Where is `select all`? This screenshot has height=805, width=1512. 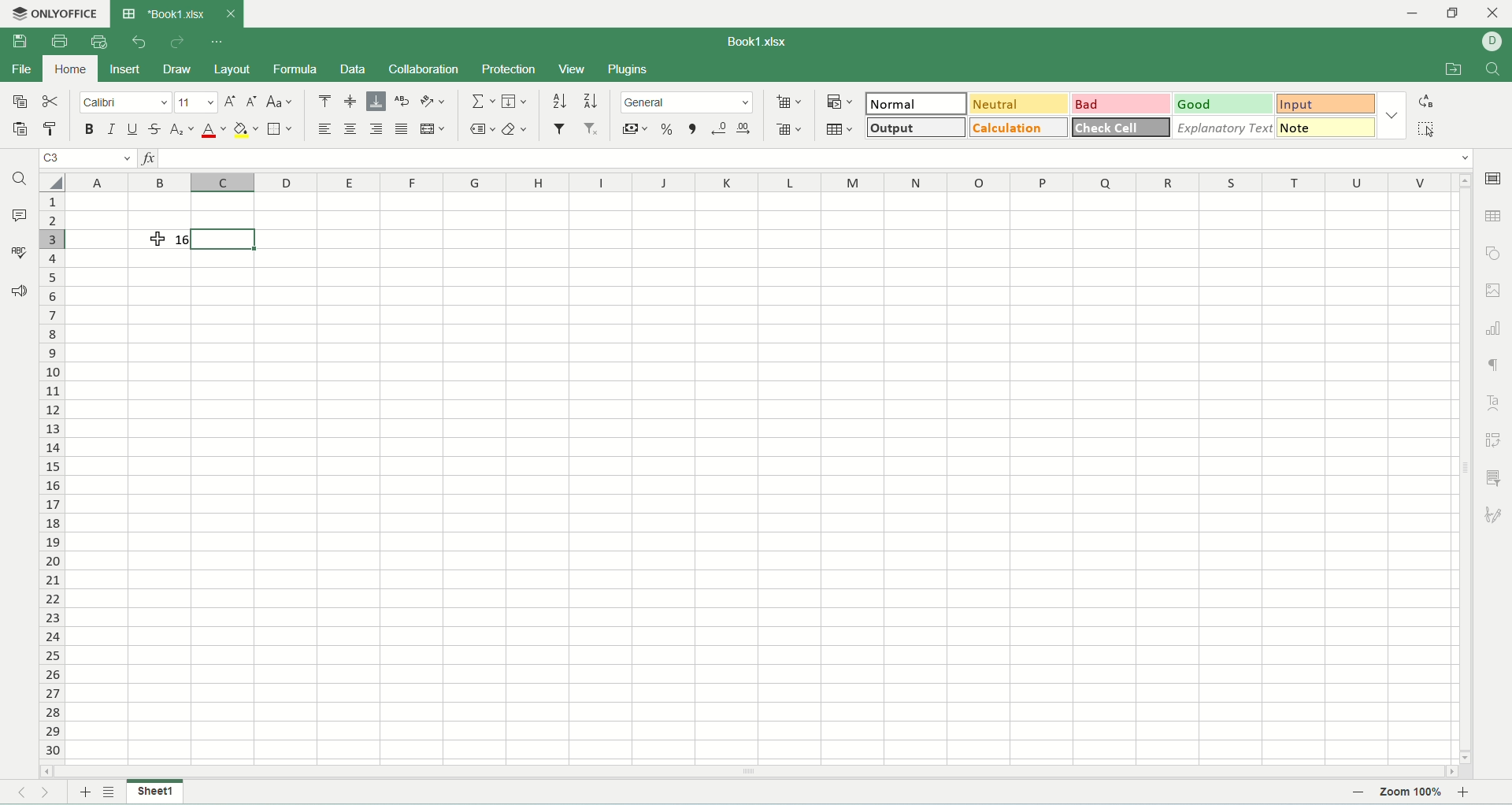 select all is located at coordinates (1431, 129).